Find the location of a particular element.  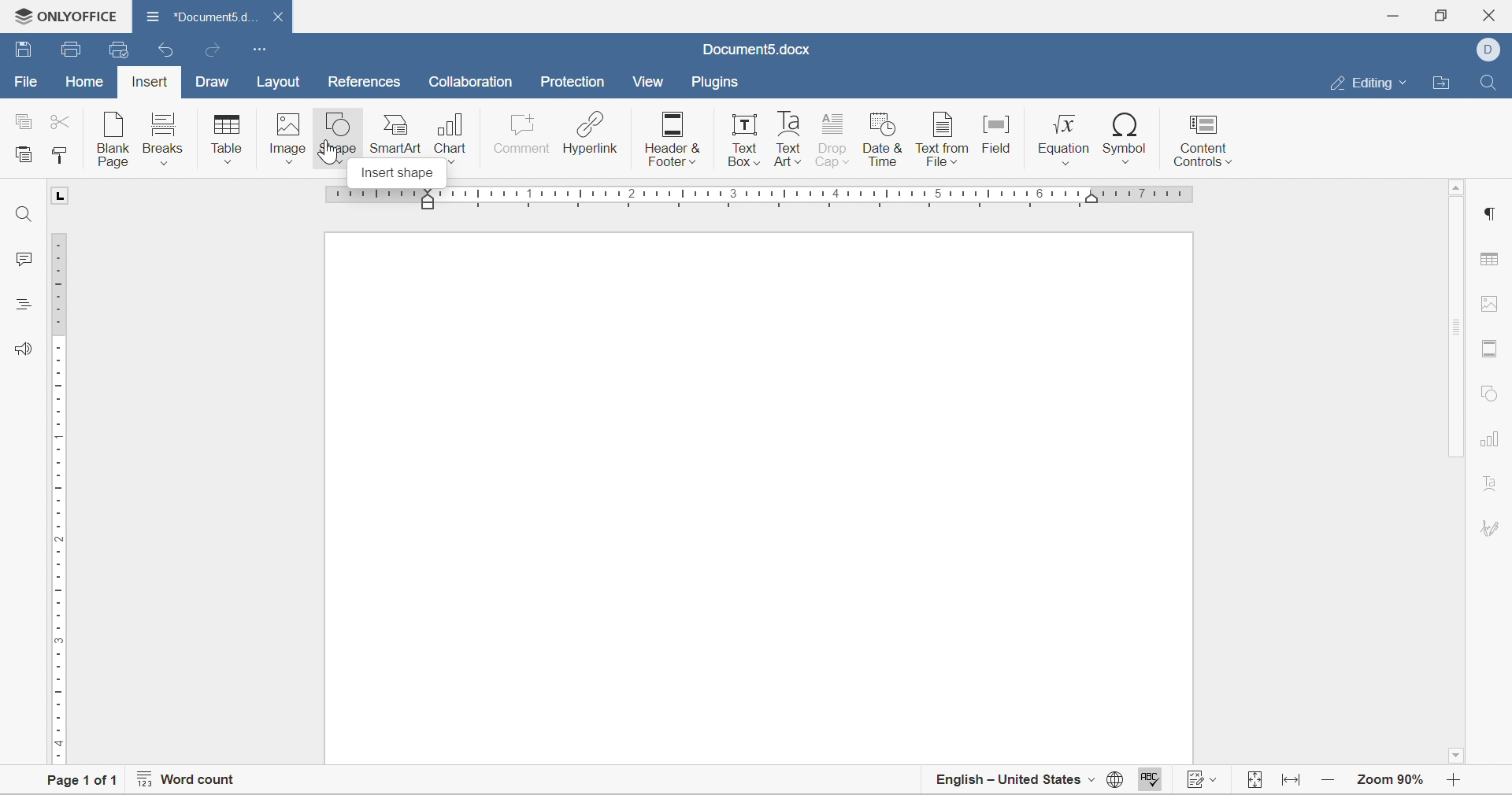

zoom 90% is located at coordinates (1388, 781).